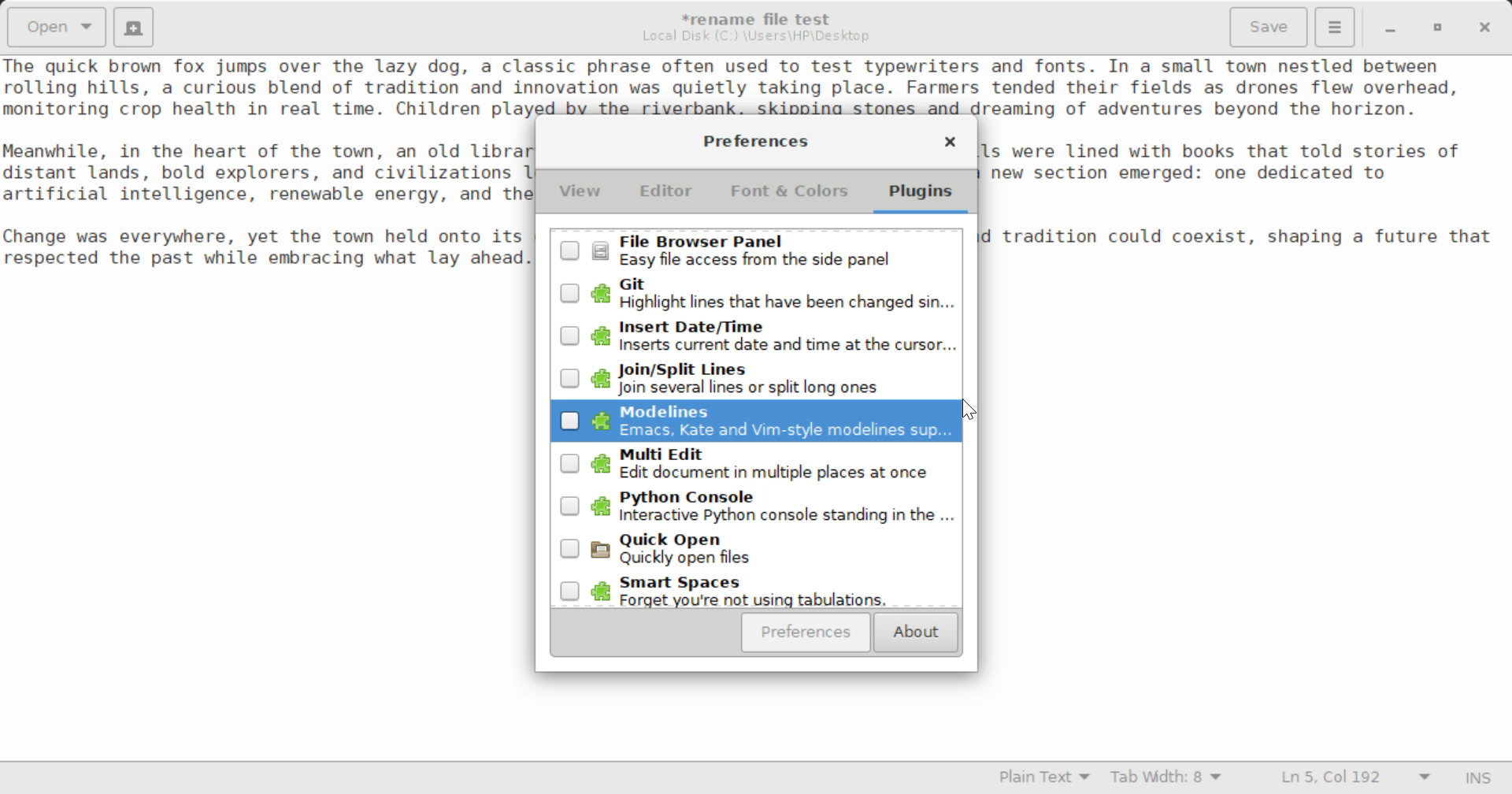  I want to click on Line & Character Count, so click(1356, 779).